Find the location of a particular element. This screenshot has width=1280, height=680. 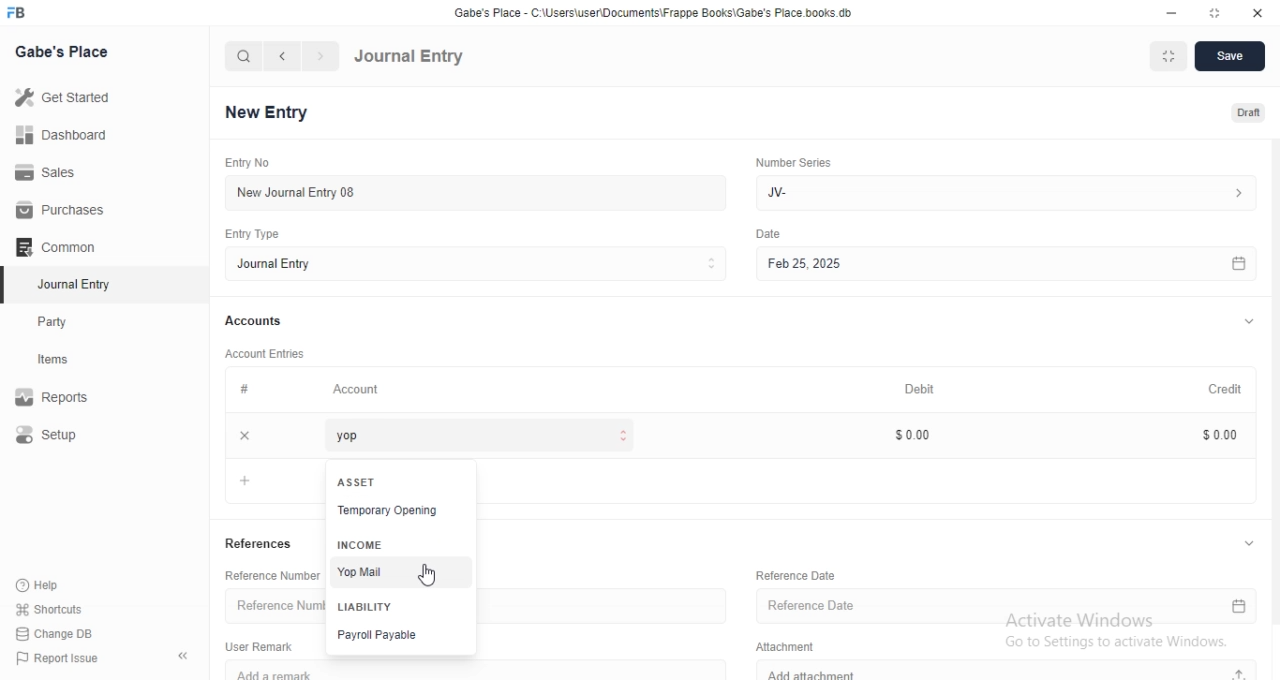

New Entry is located at coordinates (266, 111).